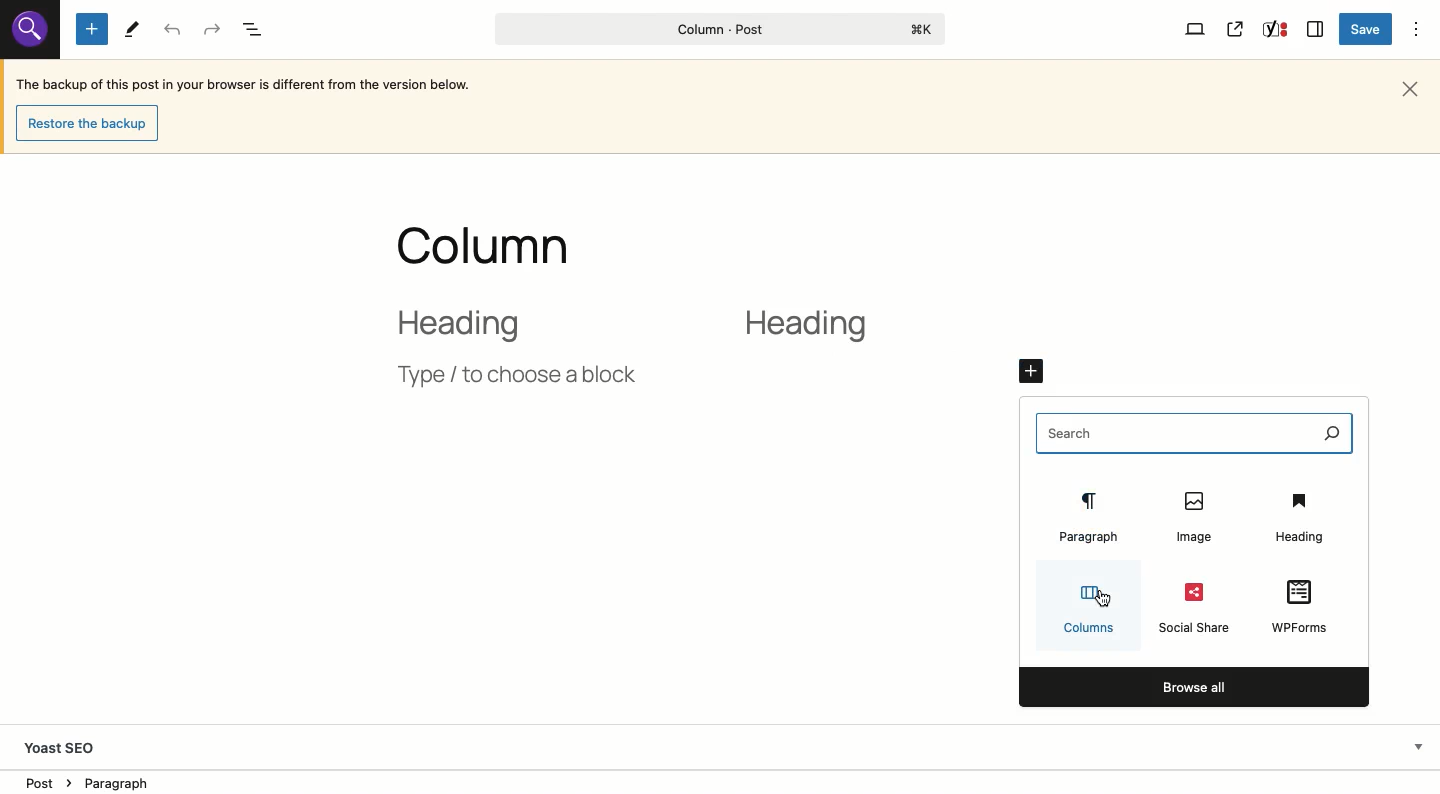 This screenshot has height=794, width=1440. I want to click on Hide, so click(1418, 745).